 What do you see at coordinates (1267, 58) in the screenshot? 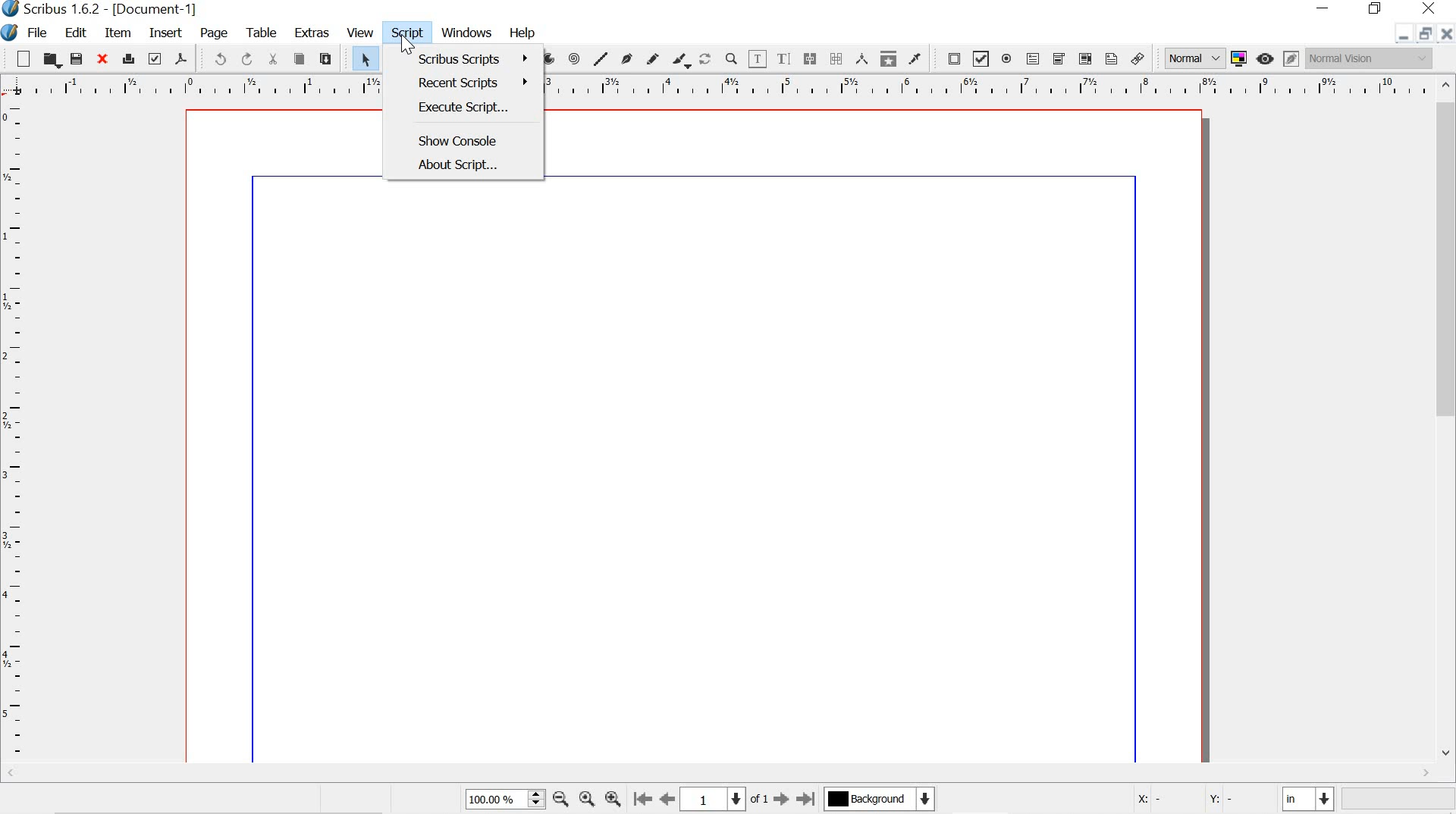
I see `preview mode` at bounding box center [1267, 58].